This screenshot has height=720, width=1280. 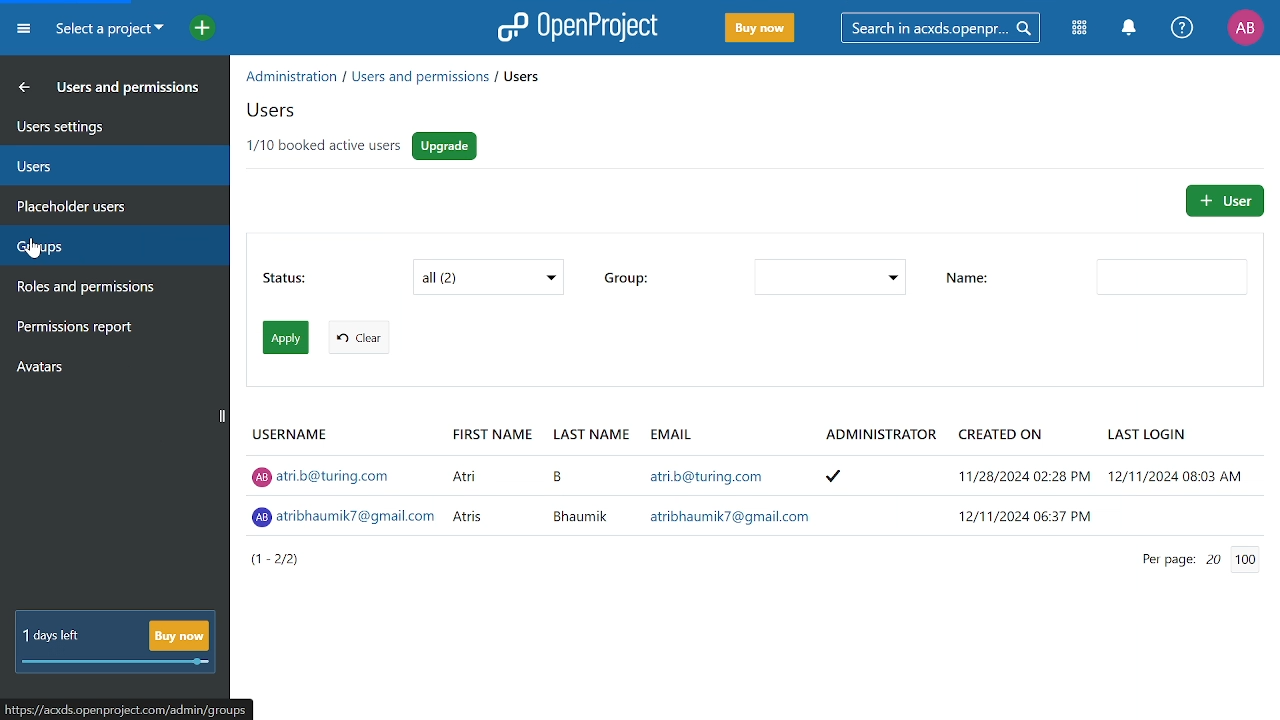 What do you see at coordinates (112, 163) in the screenshot?
I see `Users` at bounding box center [112, 163].